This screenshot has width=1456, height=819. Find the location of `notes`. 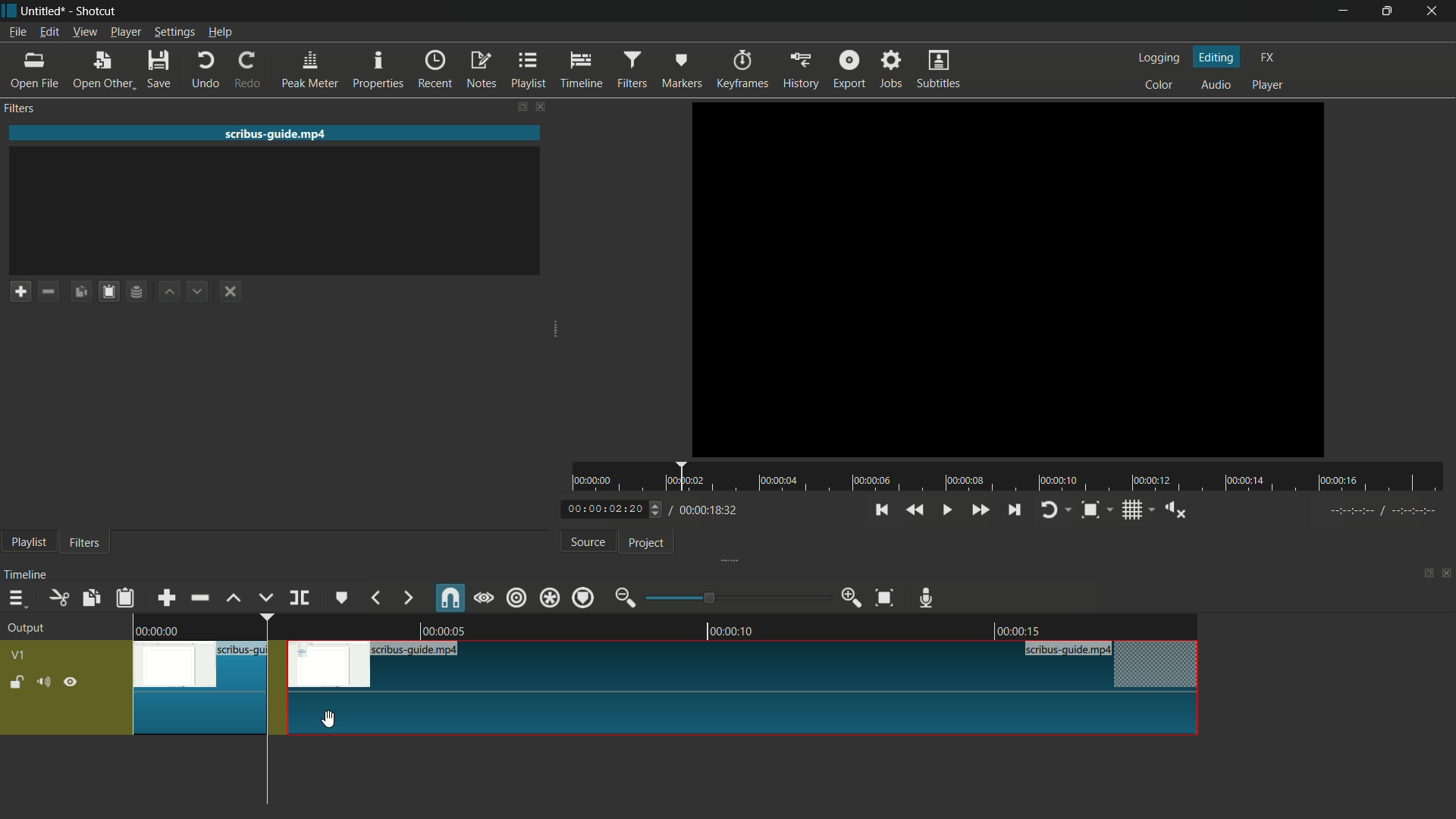

notes is located at coordinates (483, 70).